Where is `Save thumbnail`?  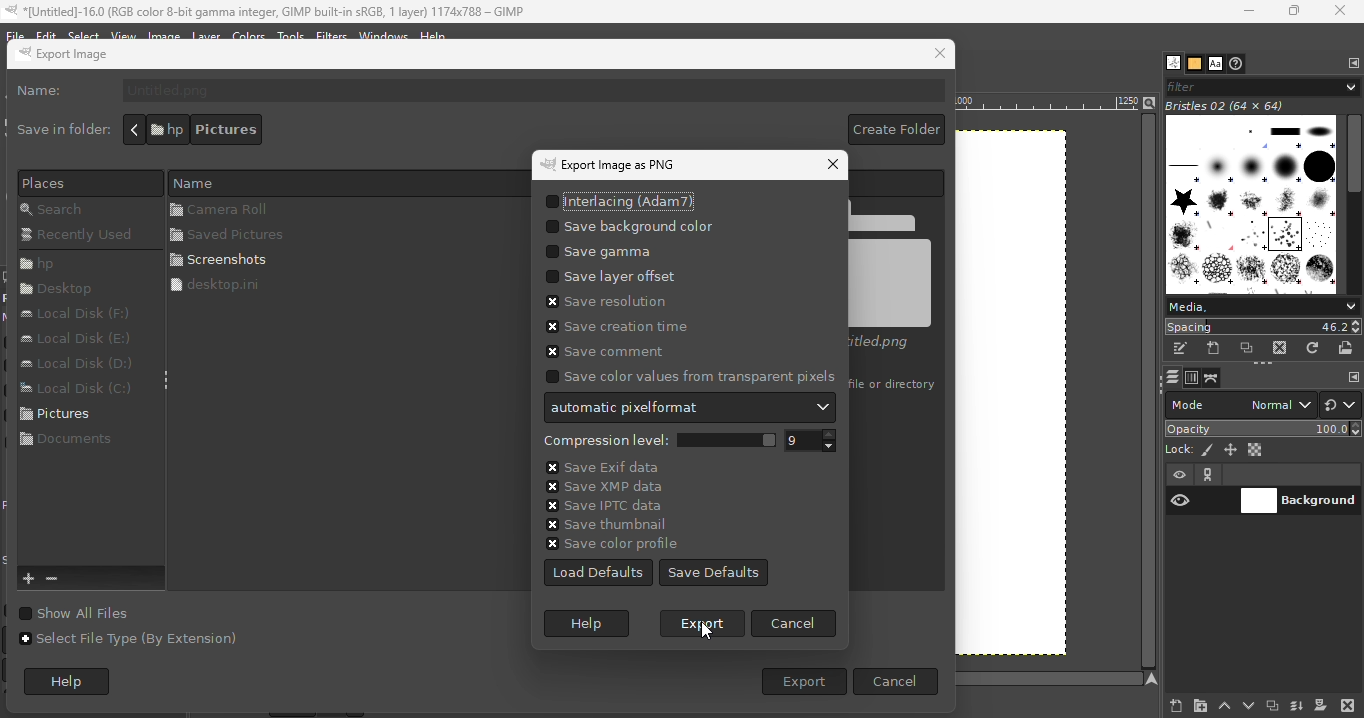
Save thumbnail is located at coordinates (599, 523).